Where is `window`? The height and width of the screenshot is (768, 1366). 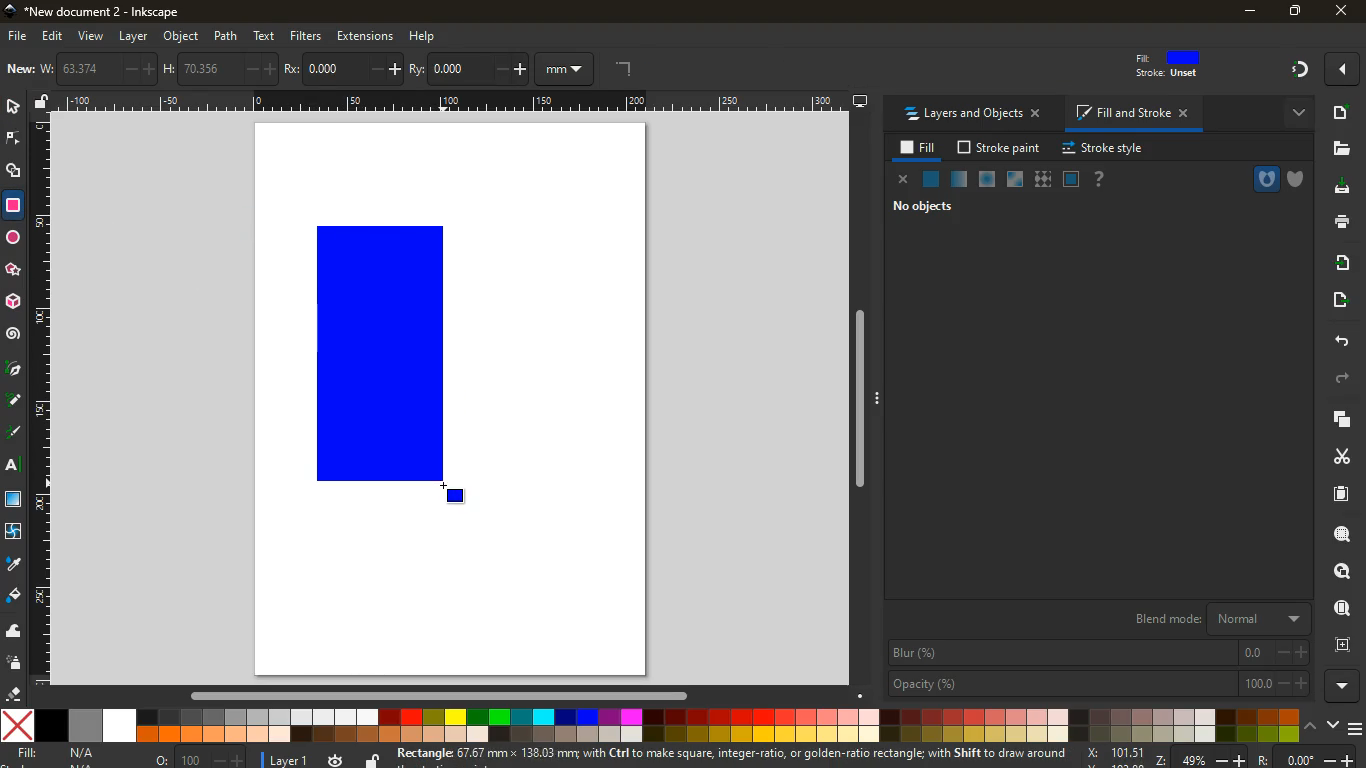 window is located at coordinates (15, 501).